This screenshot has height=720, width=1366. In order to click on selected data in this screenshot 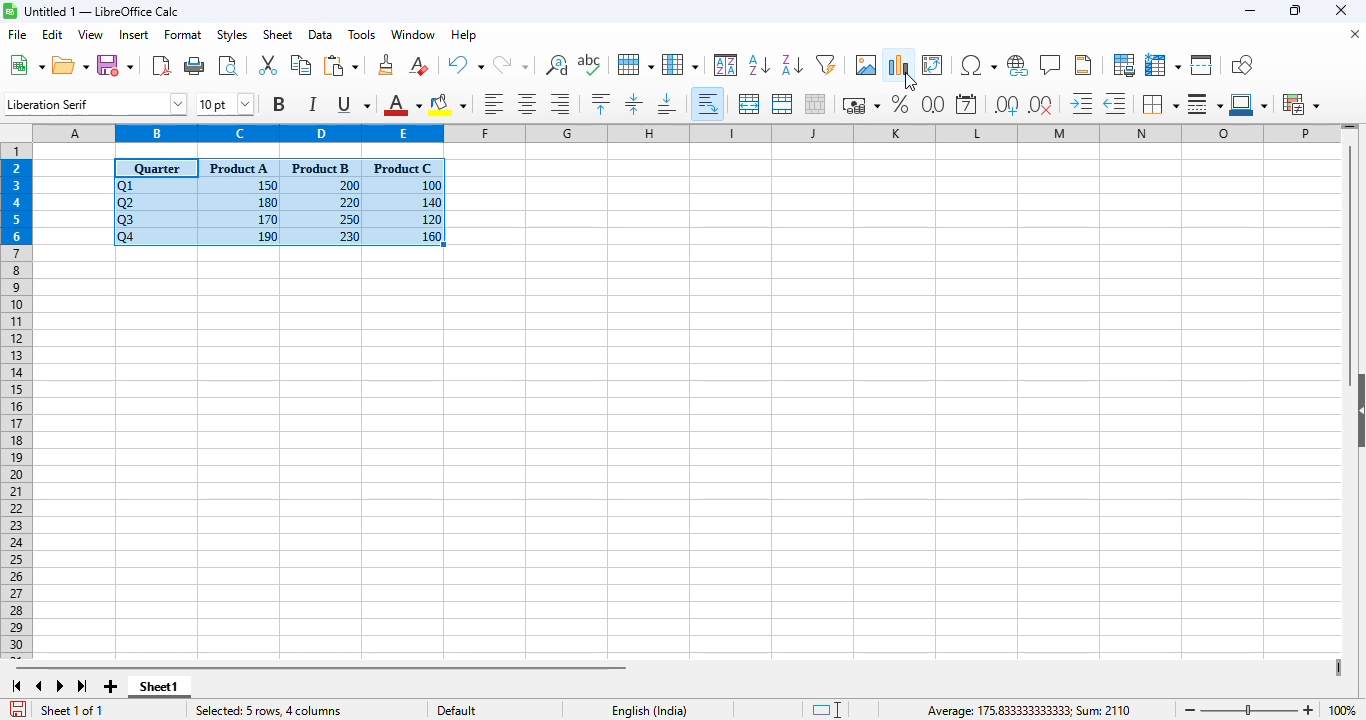, I will do `click(279, 203)`.